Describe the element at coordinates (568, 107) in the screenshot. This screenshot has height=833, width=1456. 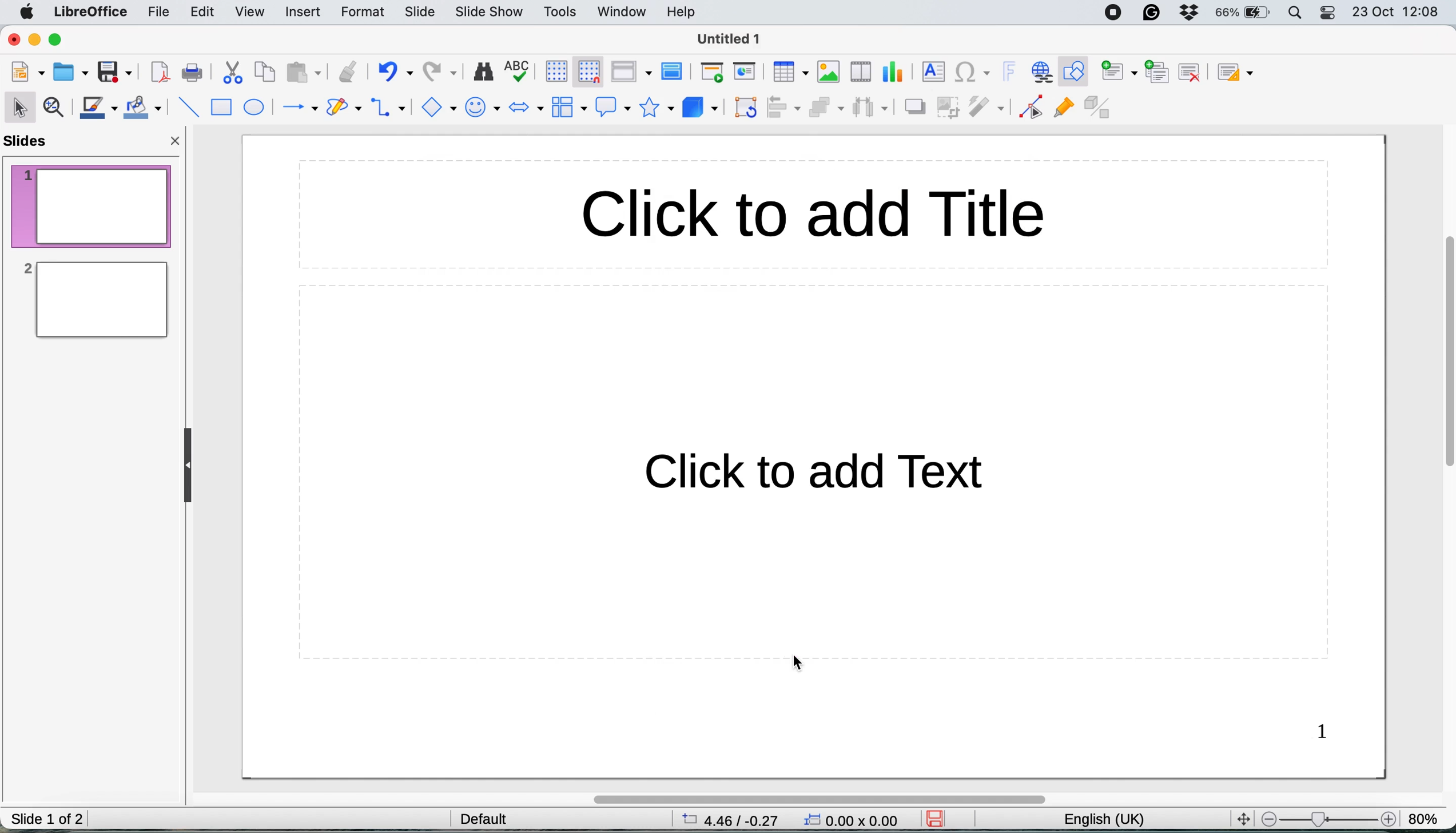
I see `flowchart` at that location.